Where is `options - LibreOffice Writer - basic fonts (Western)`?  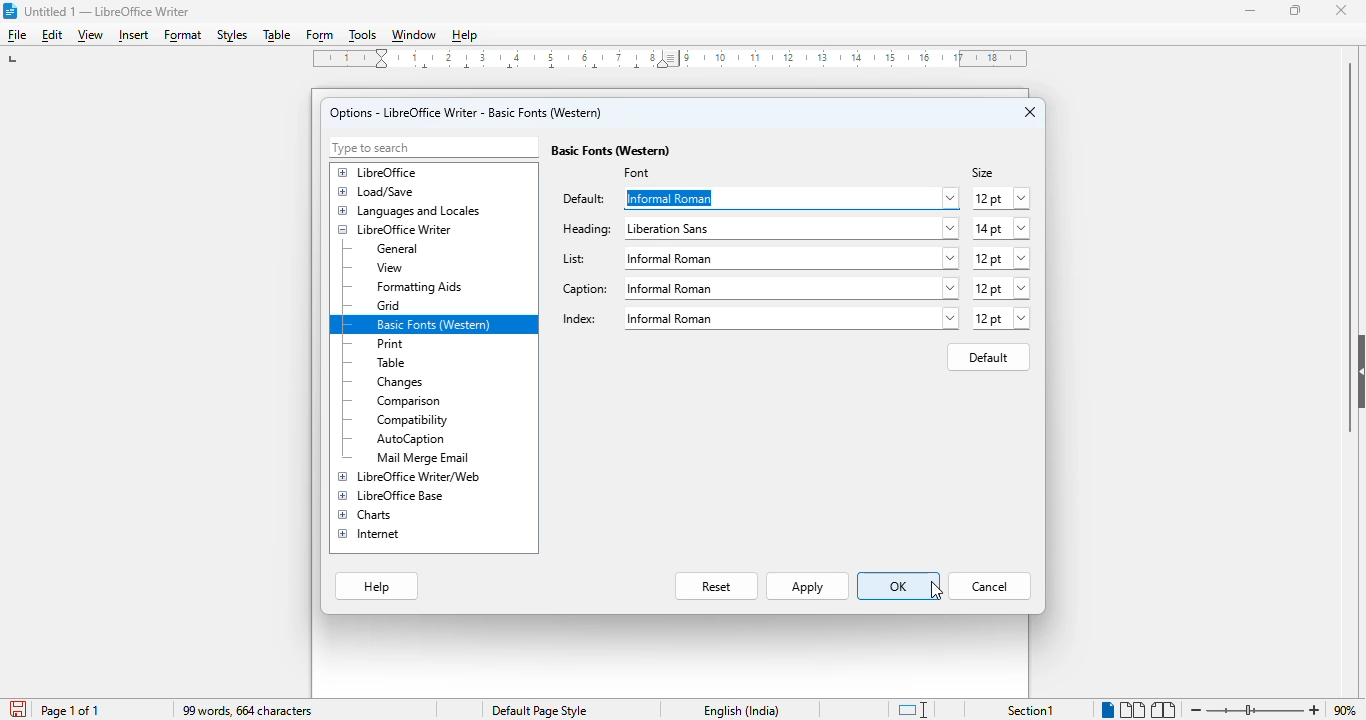 options - LibreOffice Writer - basic fonts (Western) is located at coordinates (467, 112).